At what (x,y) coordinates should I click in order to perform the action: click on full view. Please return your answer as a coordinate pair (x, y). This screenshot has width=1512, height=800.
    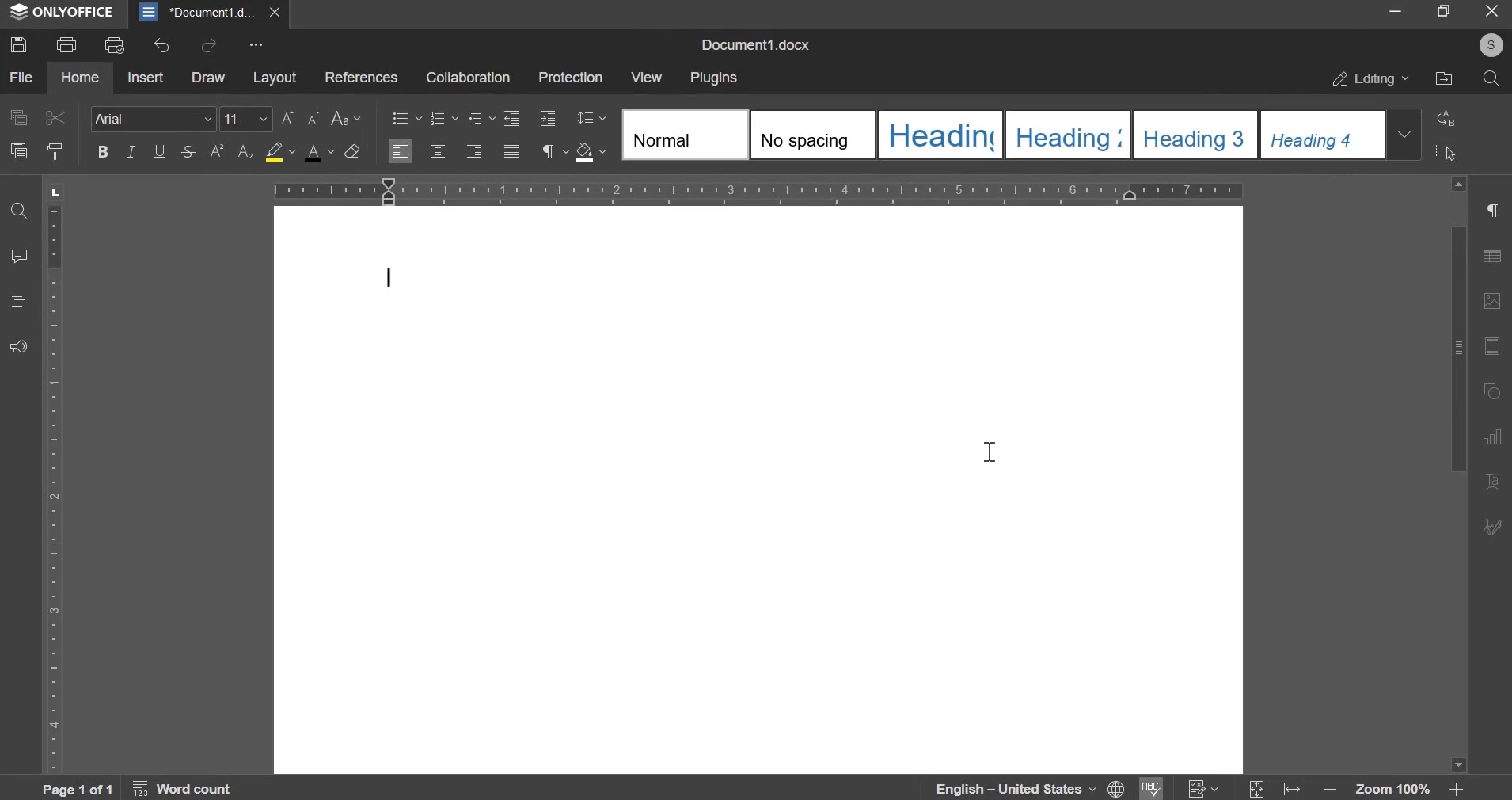
    Looking at the image, I should click on (1256, 788).